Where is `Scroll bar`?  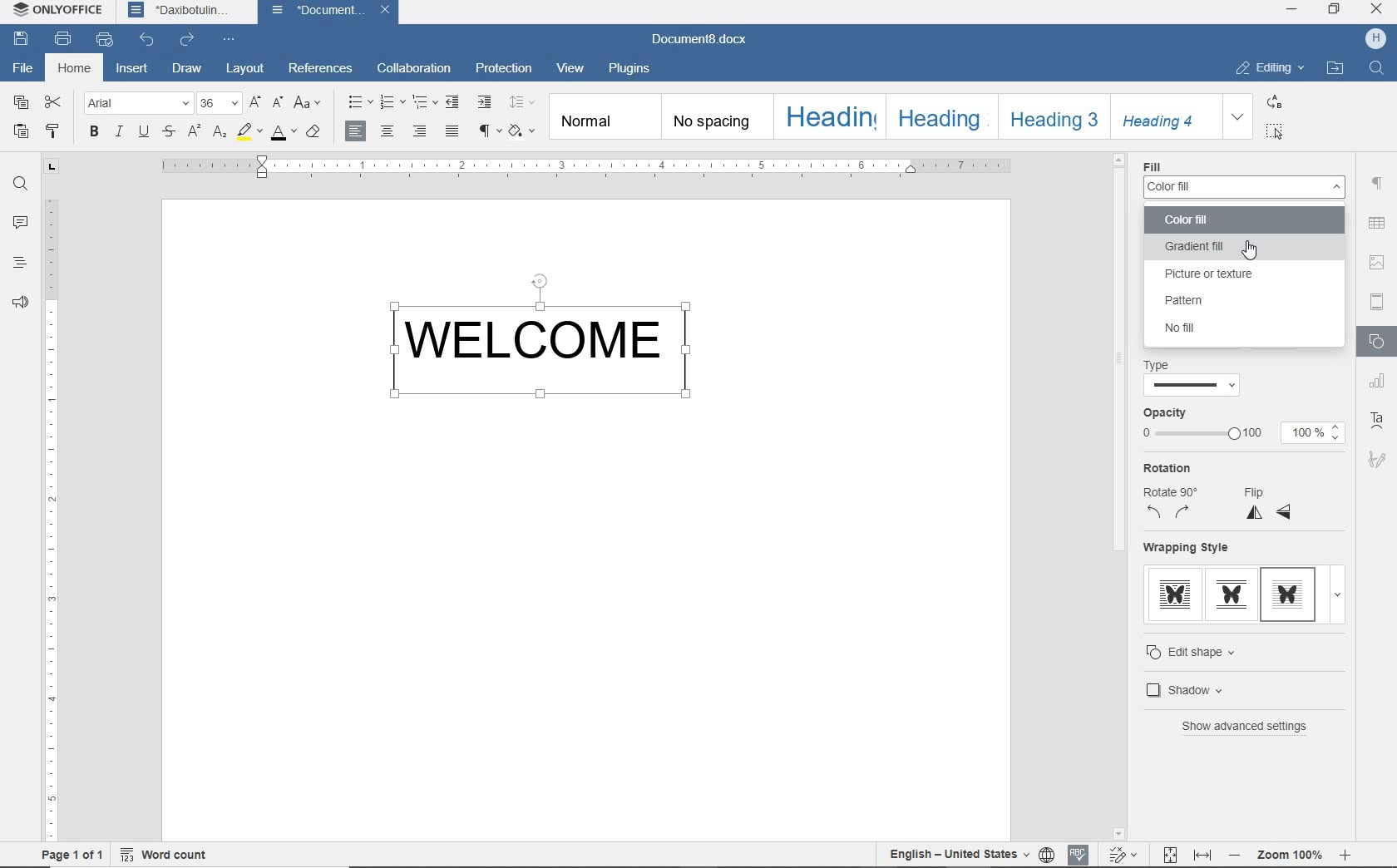 Scroll bar is located at coordinates (1119, 360).